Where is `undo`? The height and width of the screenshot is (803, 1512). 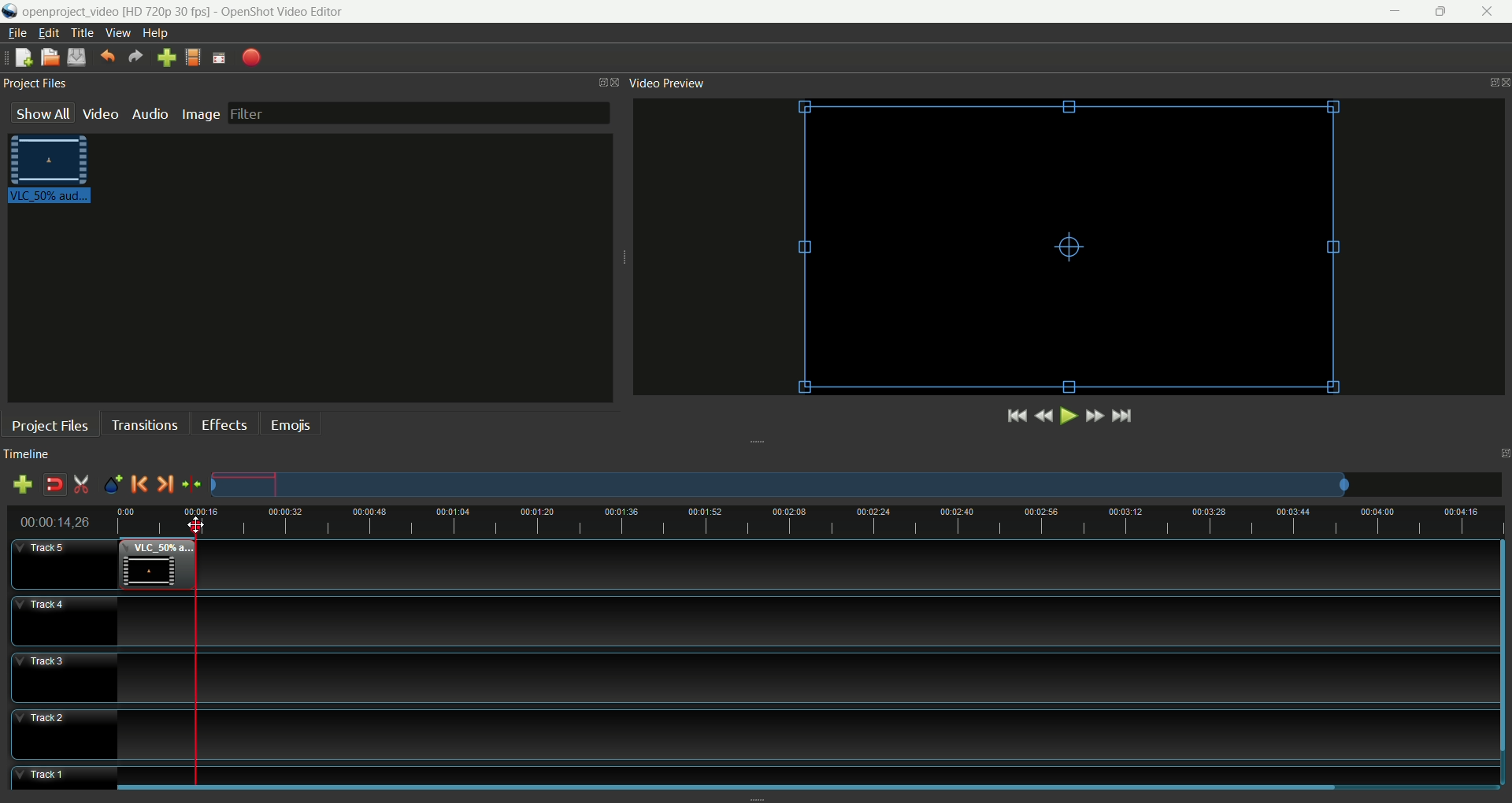 undo is located at coordinates (107, 54).